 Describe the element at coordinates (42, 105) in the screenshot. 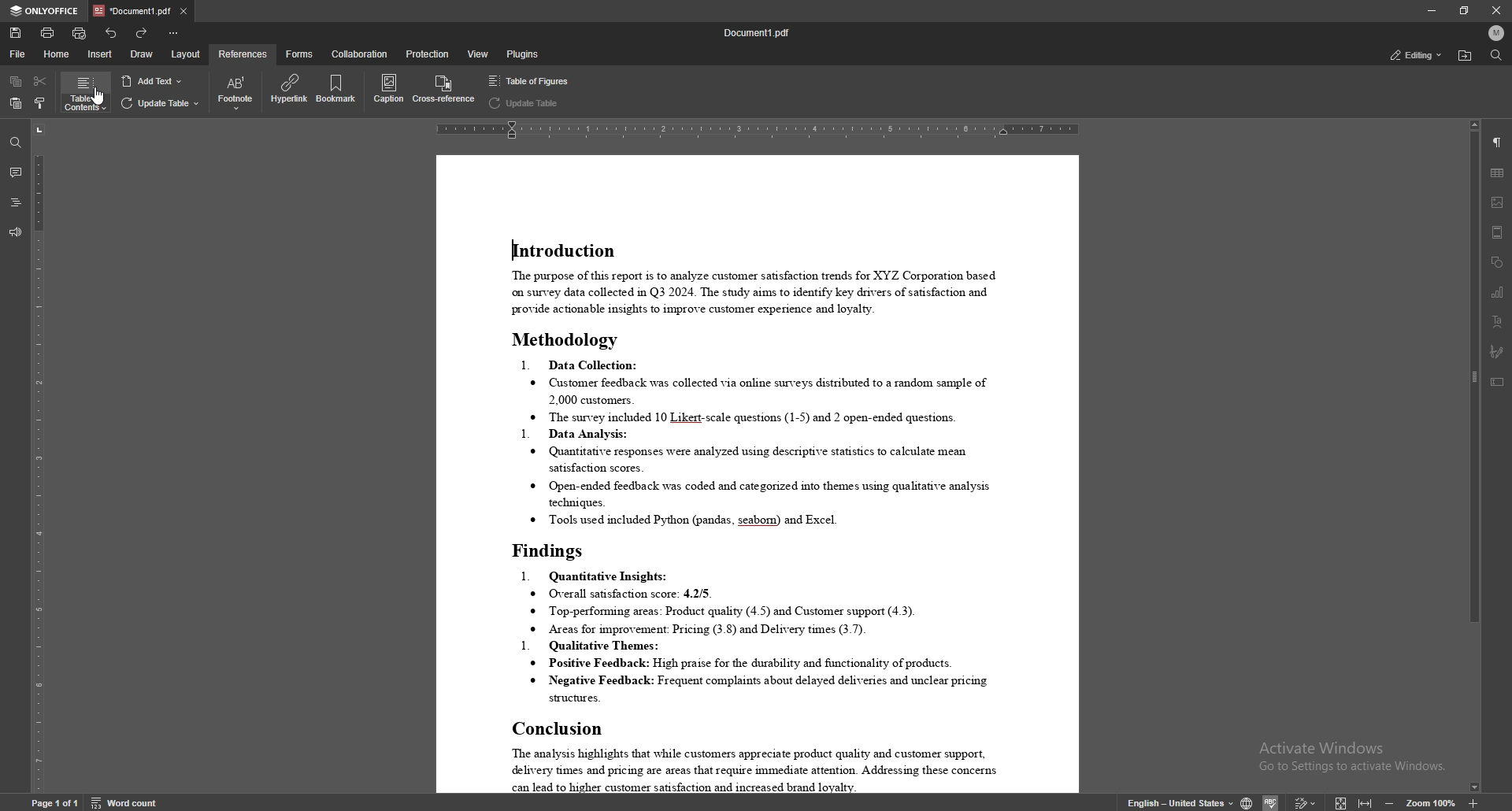

I see `copy style` at that location.